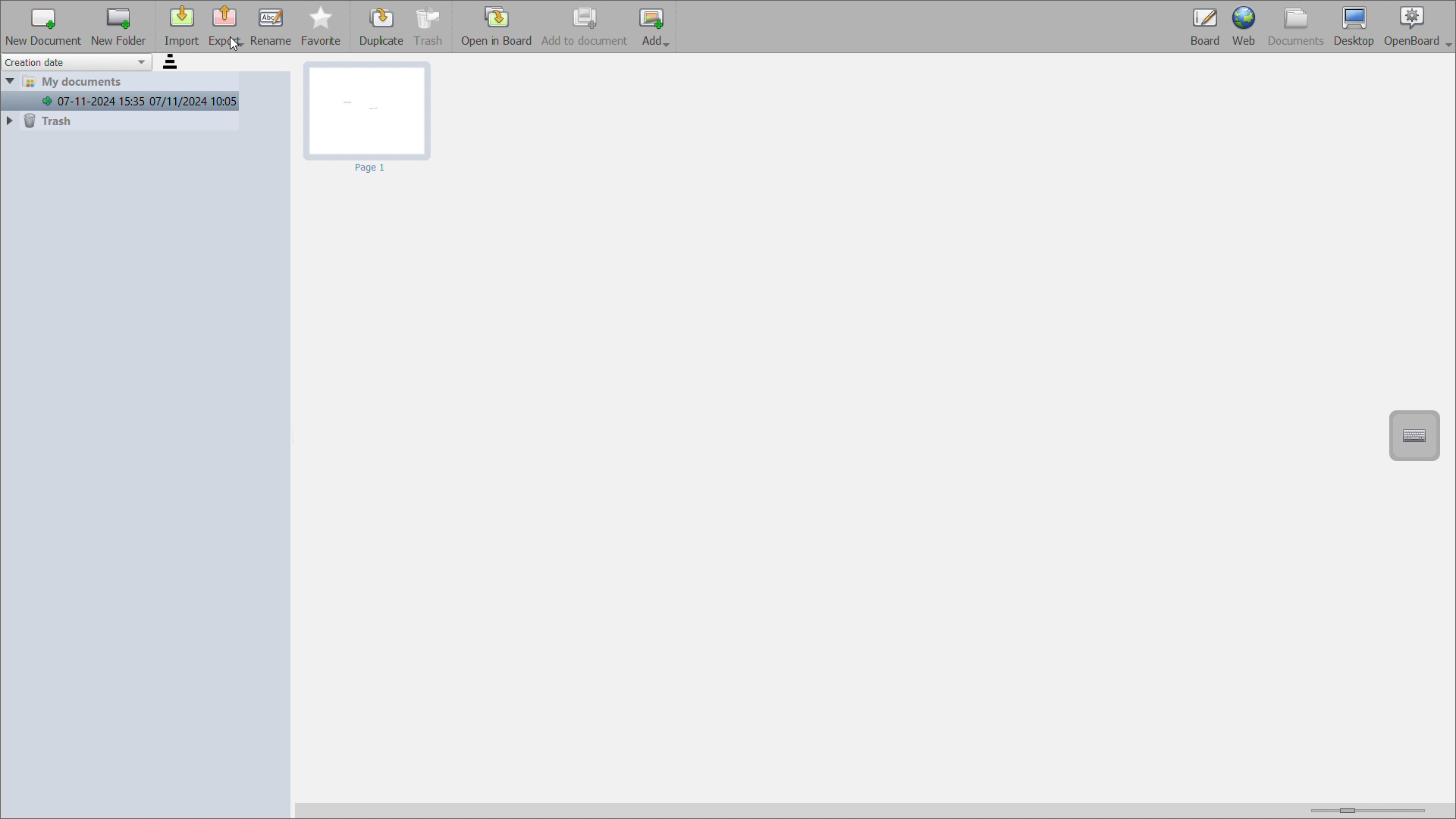  I want to click on rename, so click(271, 27).